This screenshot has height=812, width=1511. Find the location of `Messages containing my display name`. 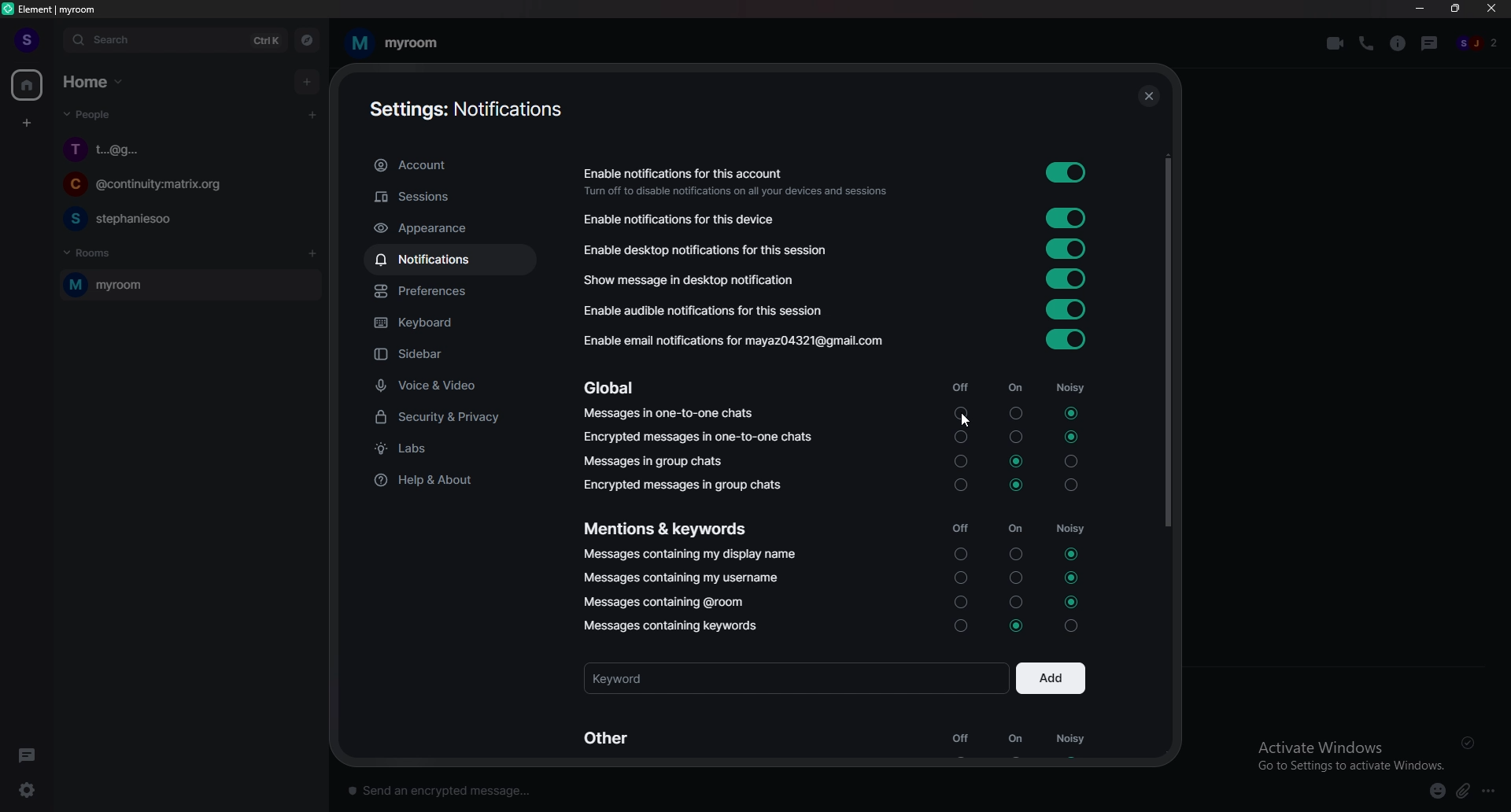

Messages containing my display name is located at coordinates (692, 555).